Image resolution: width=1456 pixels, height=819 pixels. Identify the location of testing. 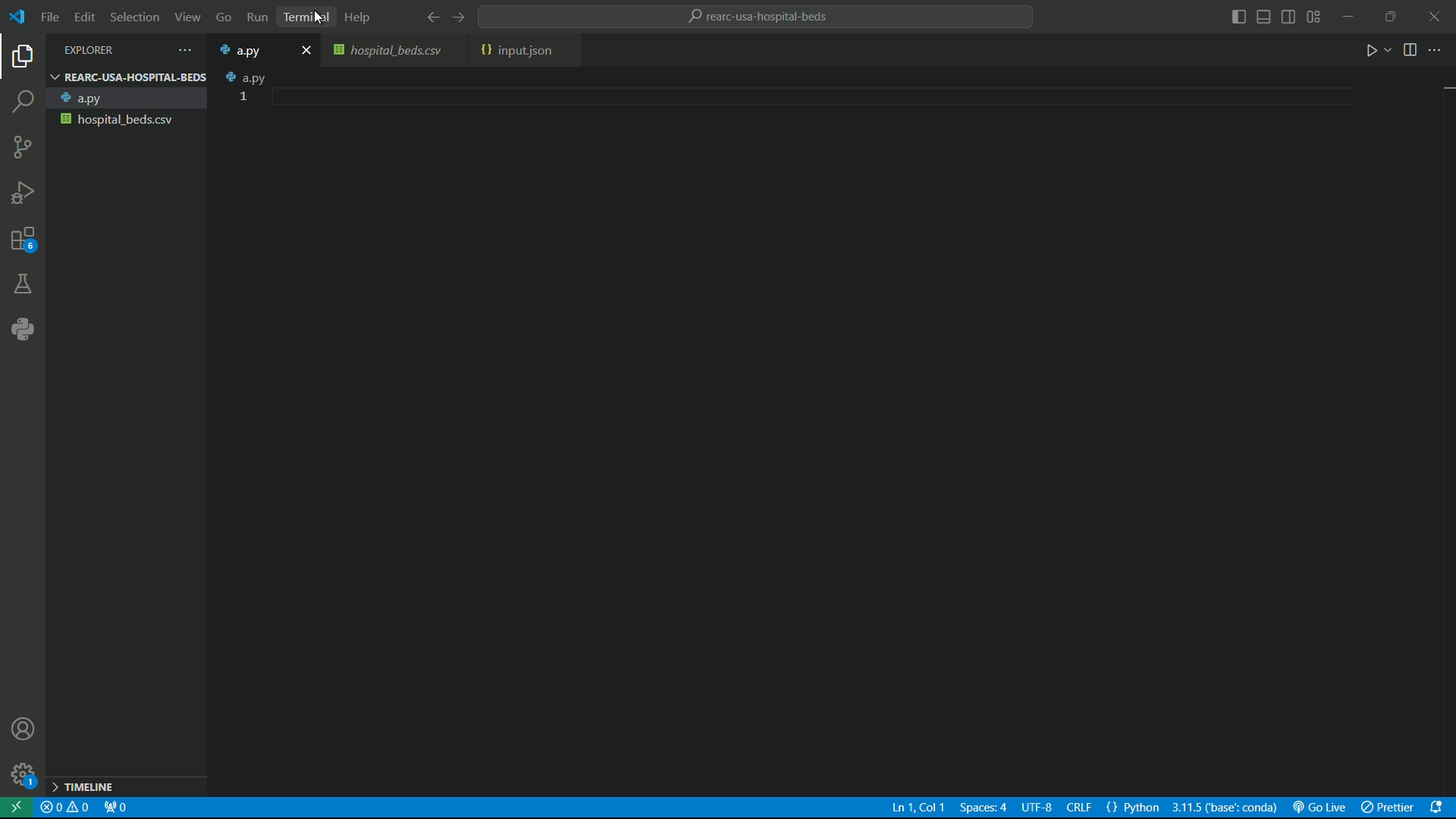
(22, 283).